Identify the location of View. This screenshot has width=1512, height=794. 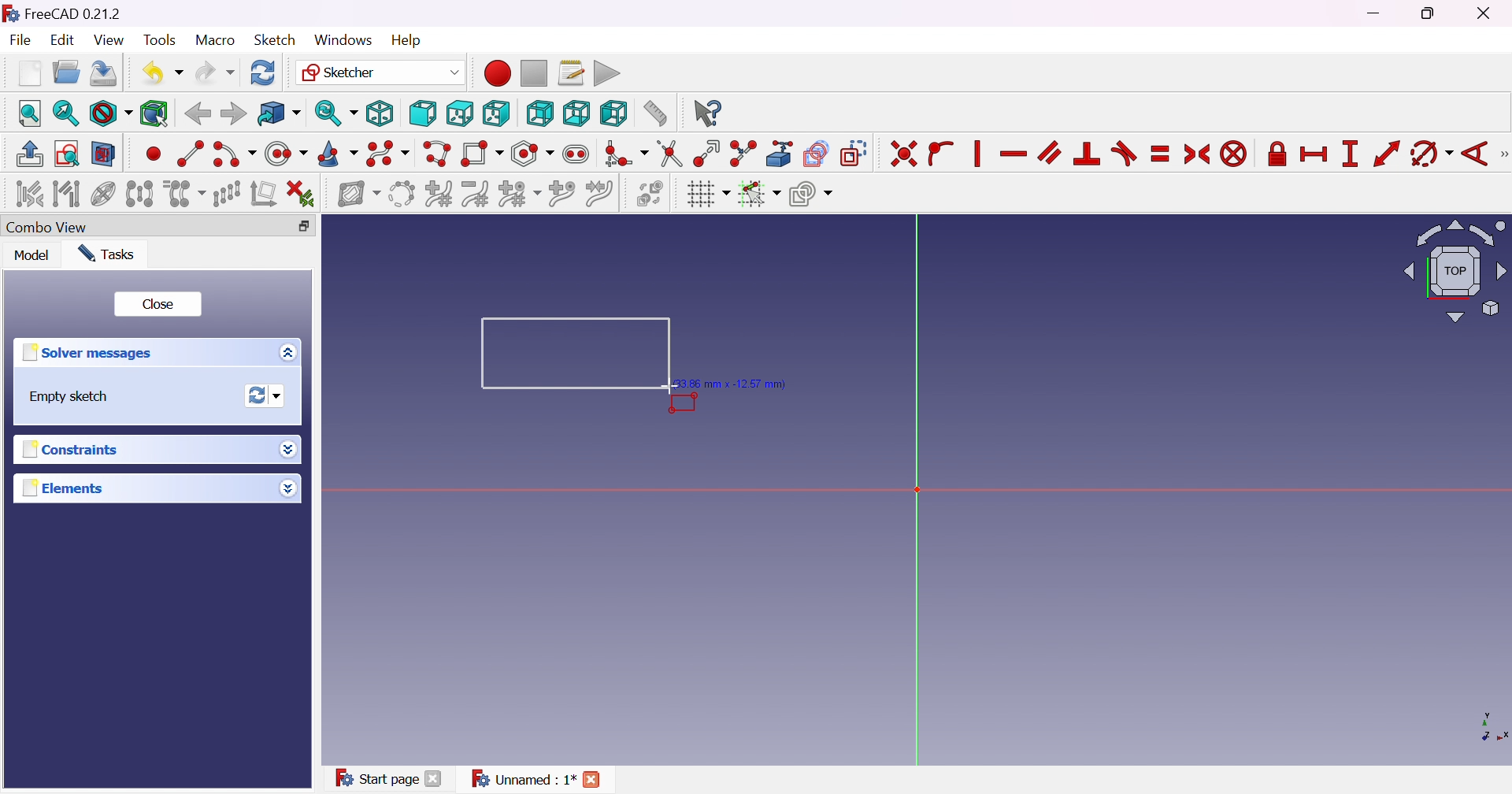
(110, 40).